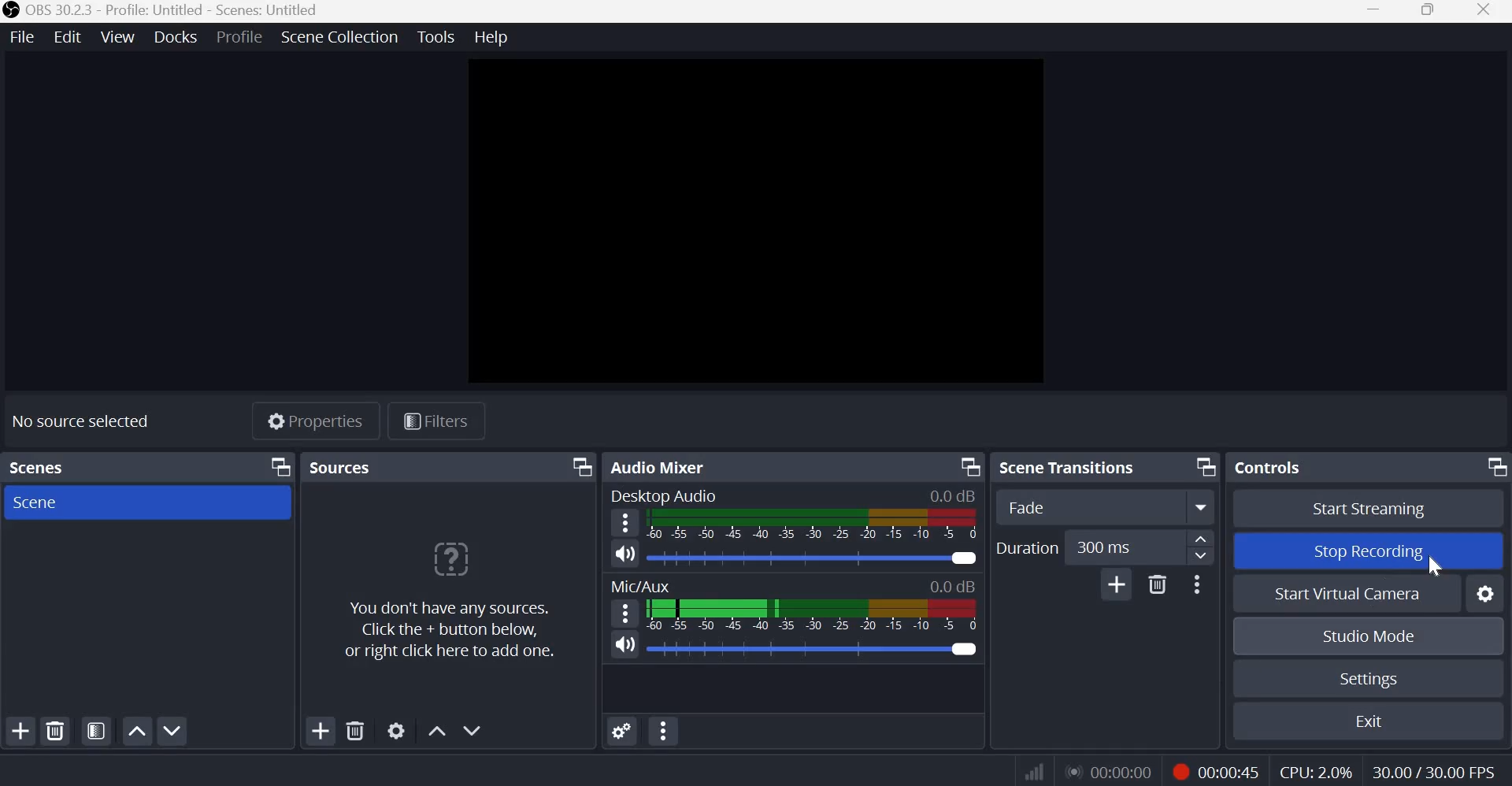 The height and width of the screenshot is (786, 1512). I want to click on Controls, so click(1277, 466).